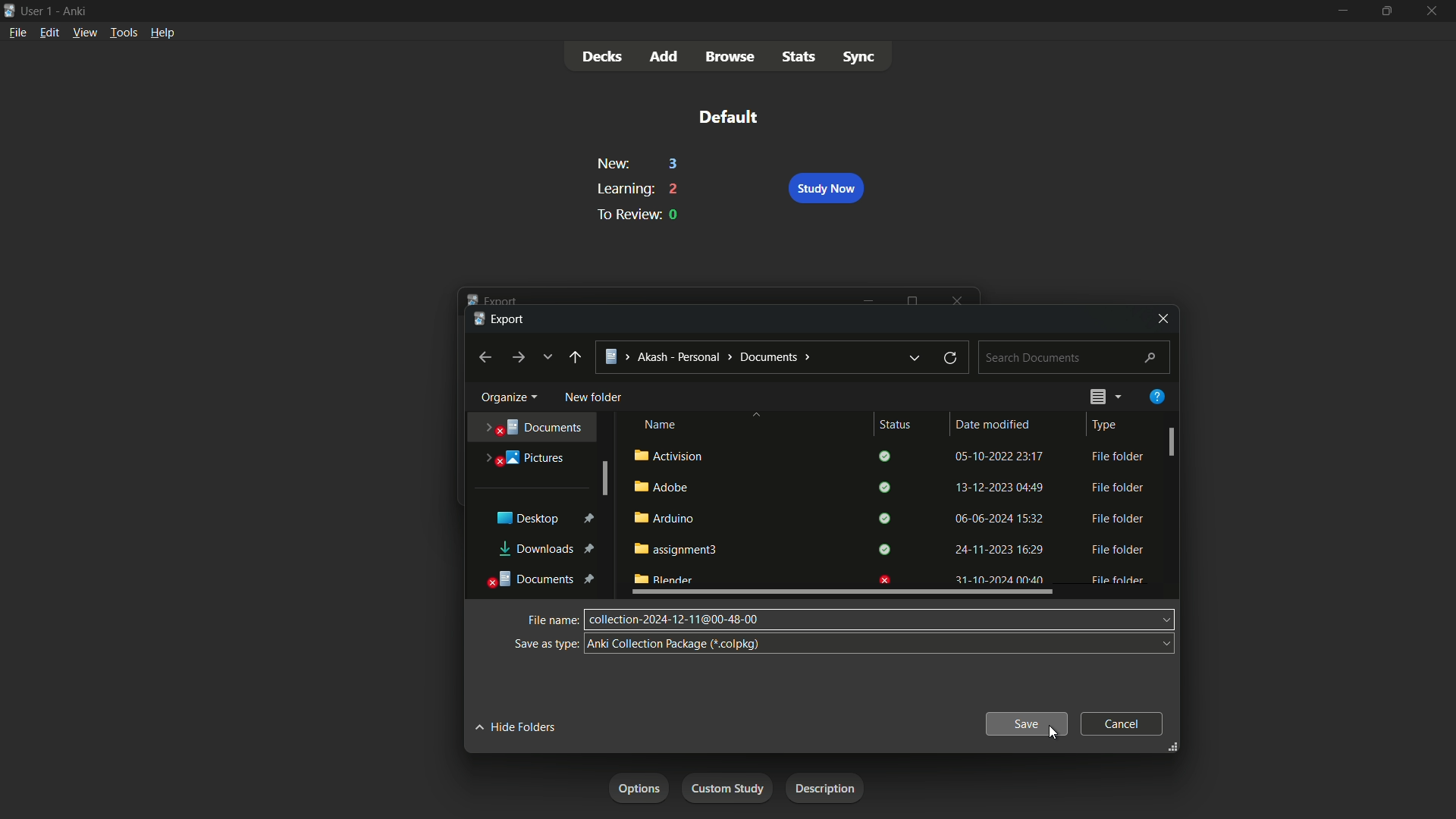 The width and height of the screenshot is (1456, 819). What do you see at coordinates (886, 487) in the screenshot?
I see `folder-2` at bounding box center [886, 487].